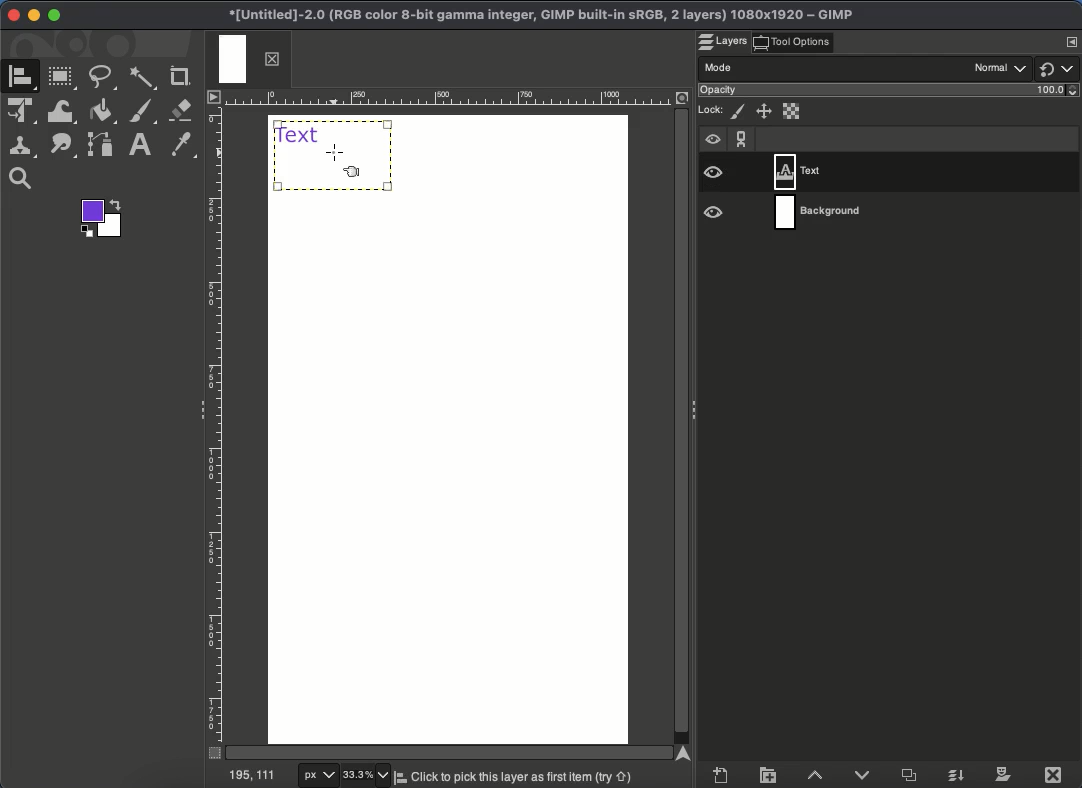  I want to click on Path, so click(99, 147).